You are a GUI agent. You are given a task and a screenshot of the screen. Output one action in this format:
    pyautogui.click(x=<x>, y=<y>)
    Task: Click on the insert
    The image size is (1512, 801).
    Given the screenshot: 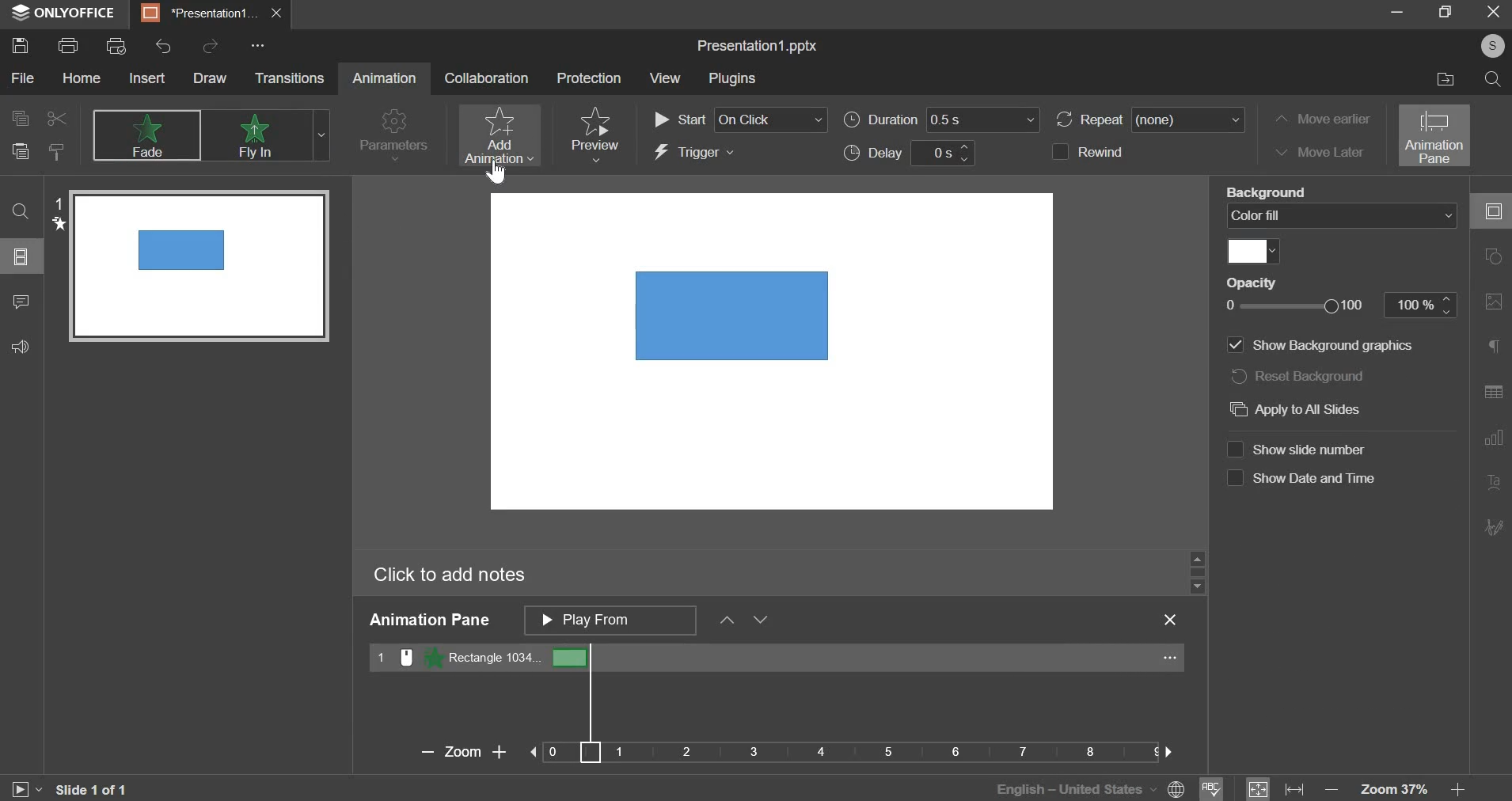 What is the action you would take?
    pyautogui.click(x=149, y=80)
    